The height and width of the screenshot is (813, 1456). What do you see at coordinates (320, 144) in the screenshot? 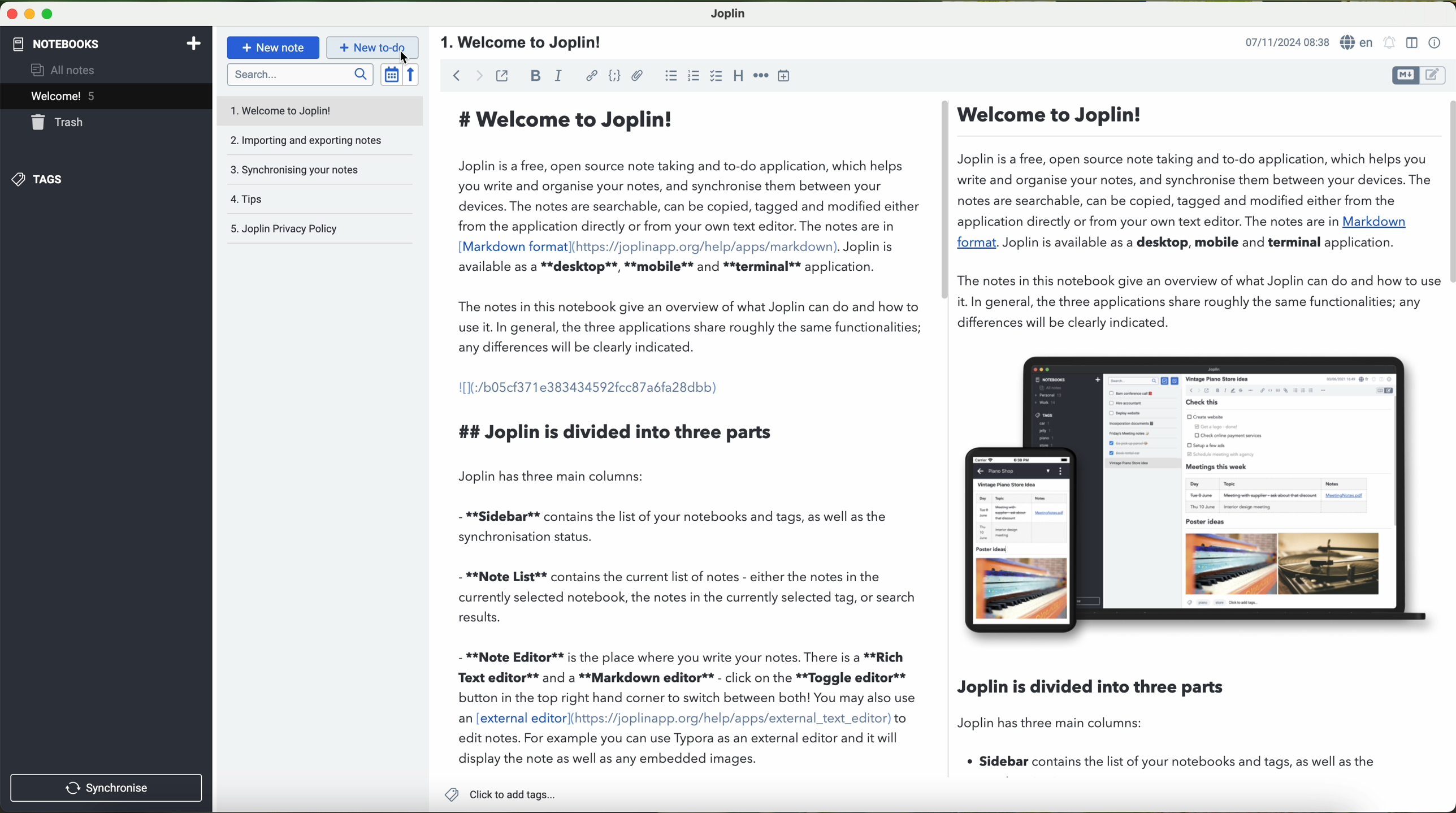
I see `importing and exporting notes` at bounding box center [320, 144].